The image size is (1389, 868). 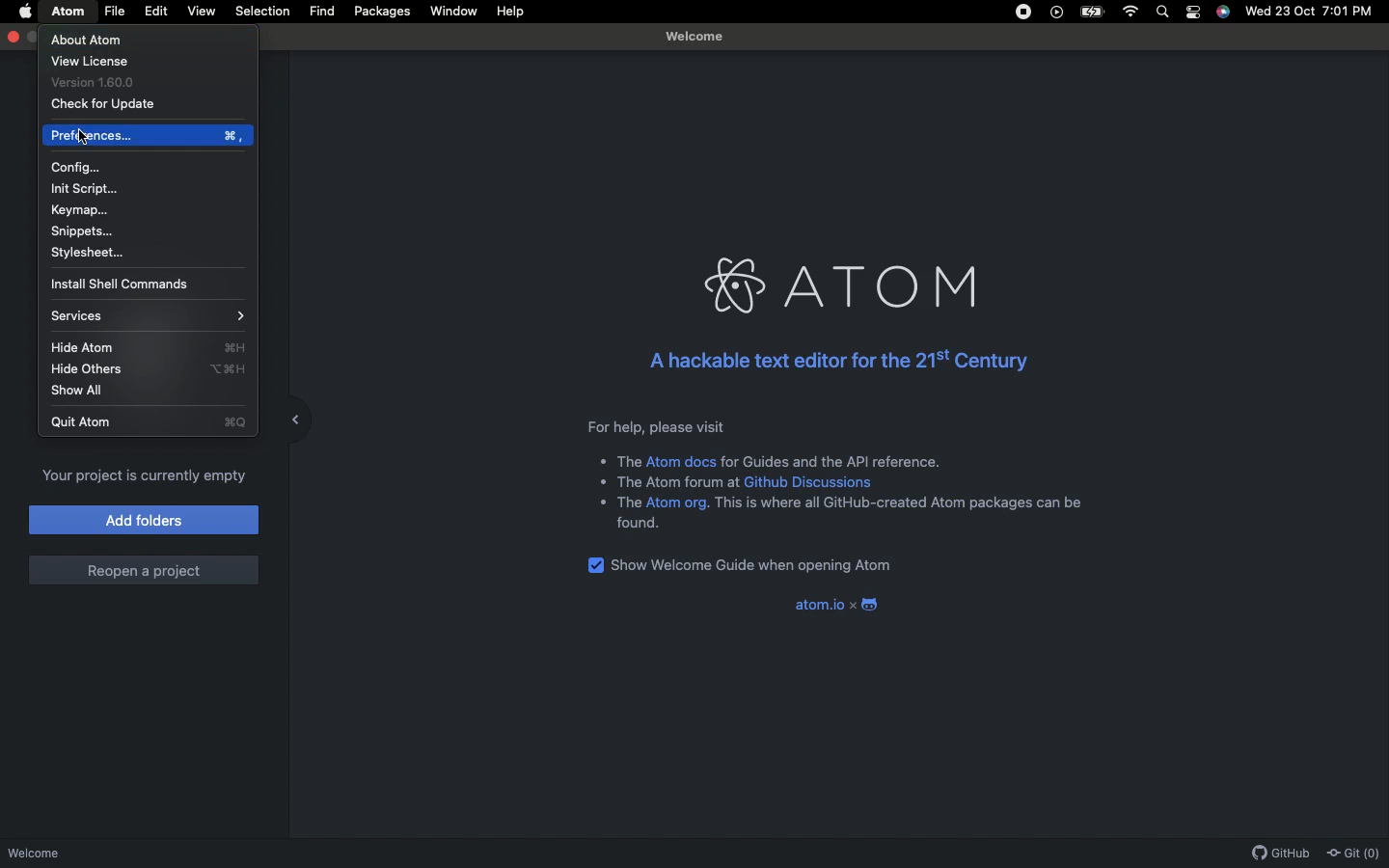 What do you see at coordinates (842, 285) in the screenshot?
I see `Atom logo` at bounding box center [842, 285].